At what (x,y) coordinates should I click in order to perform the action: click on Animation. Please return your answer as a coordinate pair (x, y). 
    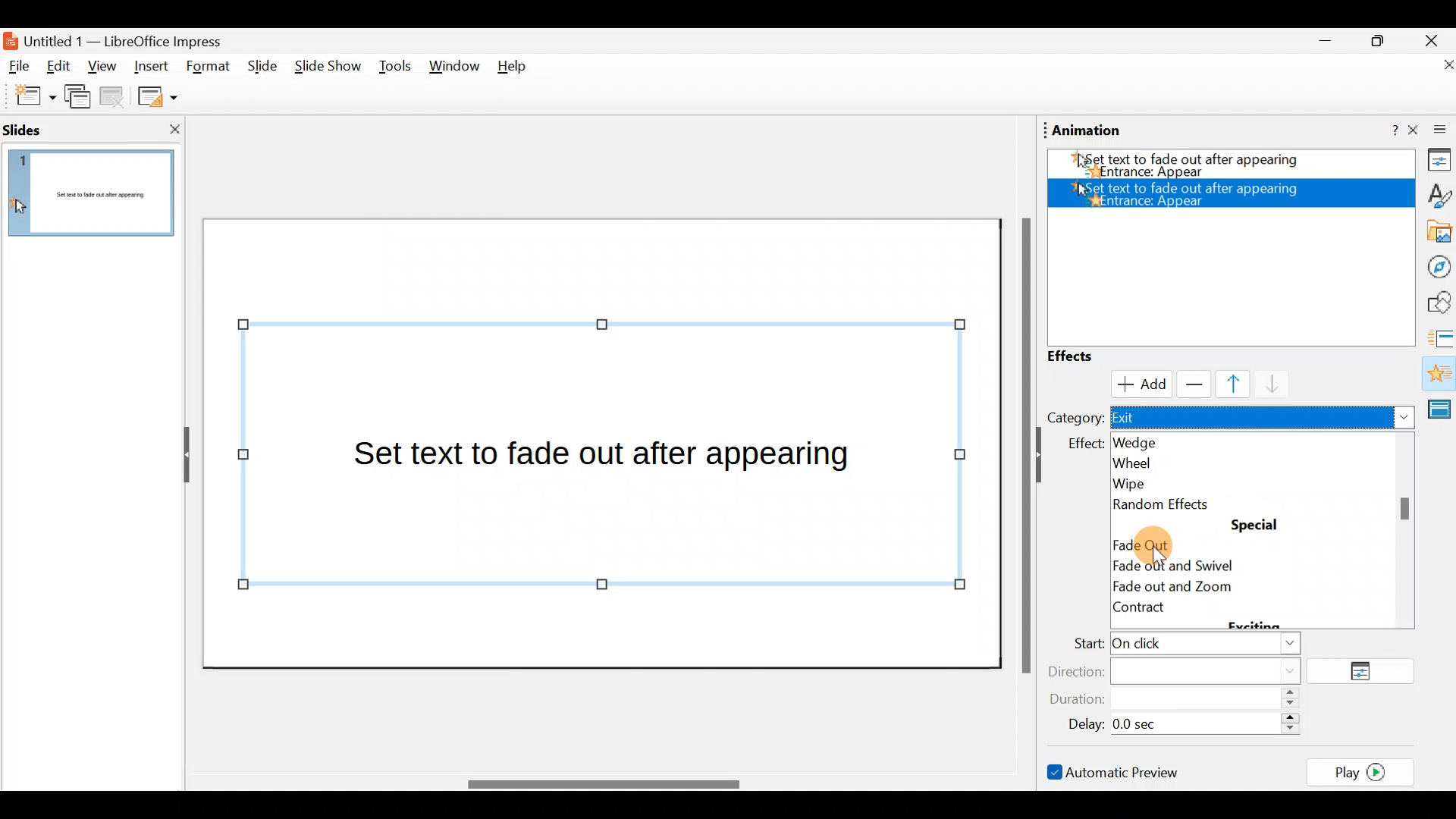
    Looking at the image, I should click on (1438, 375).